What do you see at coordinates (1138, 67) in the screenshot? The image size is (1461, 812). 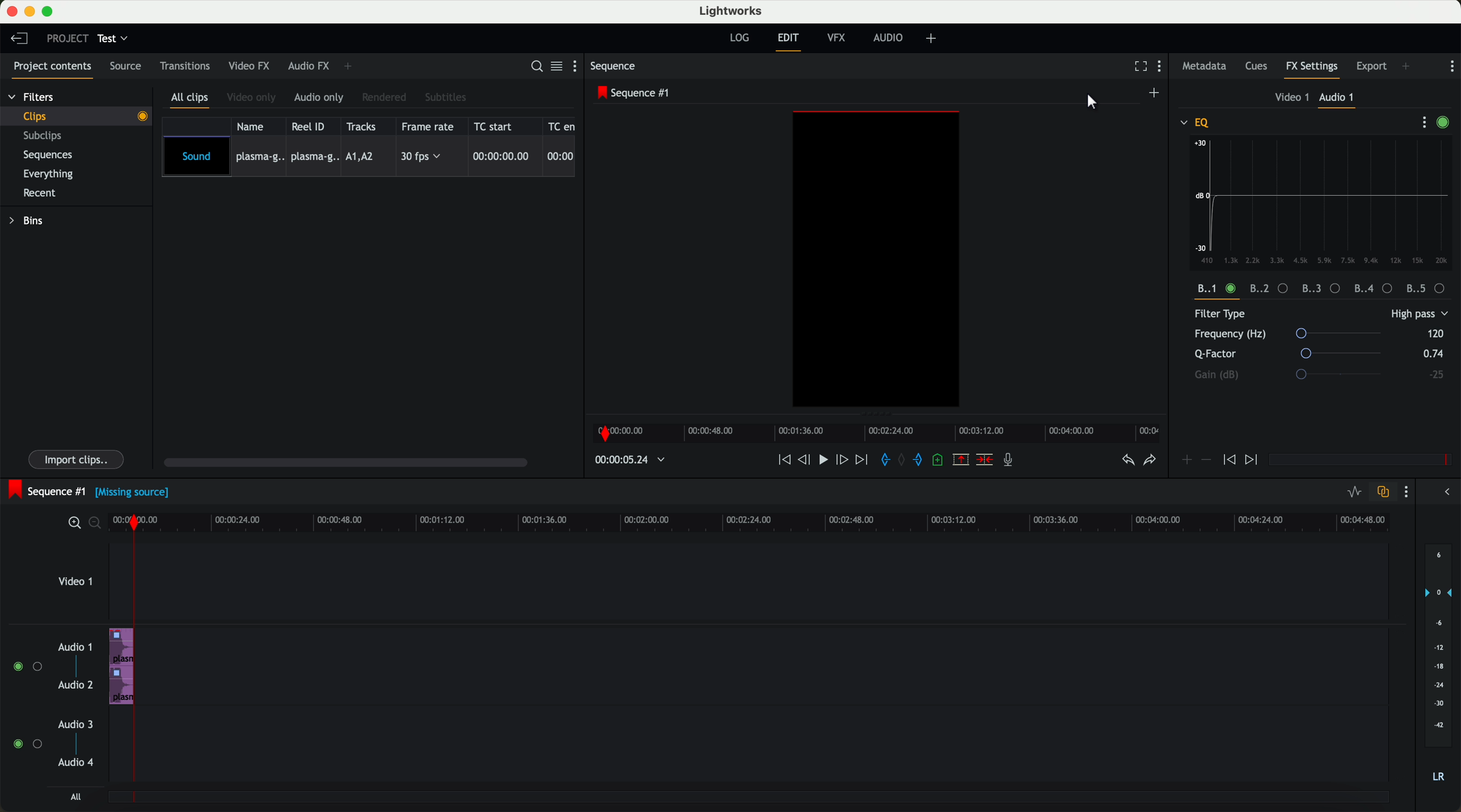 I see `fullscreen` at bounding box center [1138, 67].